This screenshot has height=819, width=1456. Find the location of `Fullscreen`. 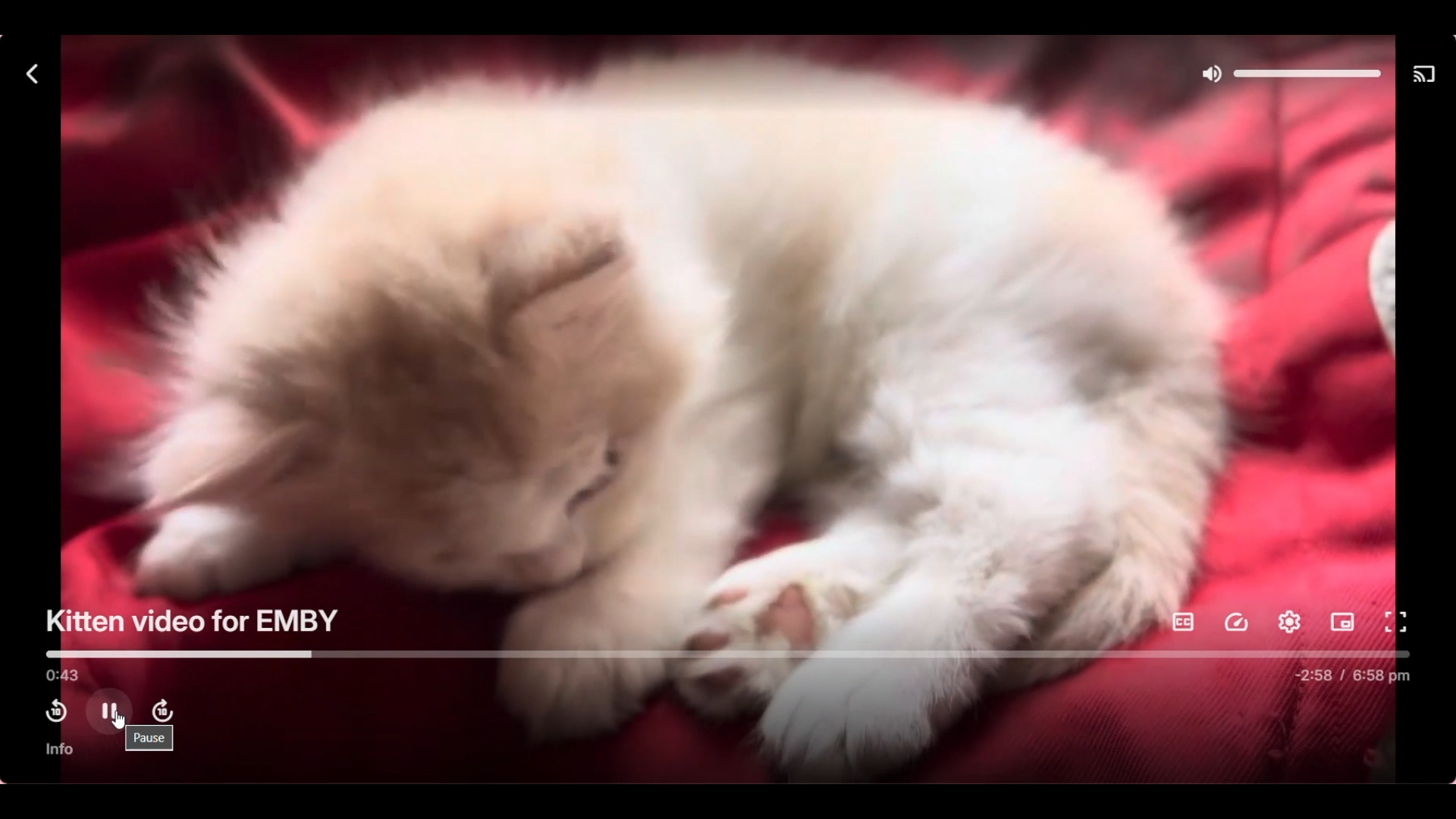

Fullscreen is located at coordinates (1395, 623).